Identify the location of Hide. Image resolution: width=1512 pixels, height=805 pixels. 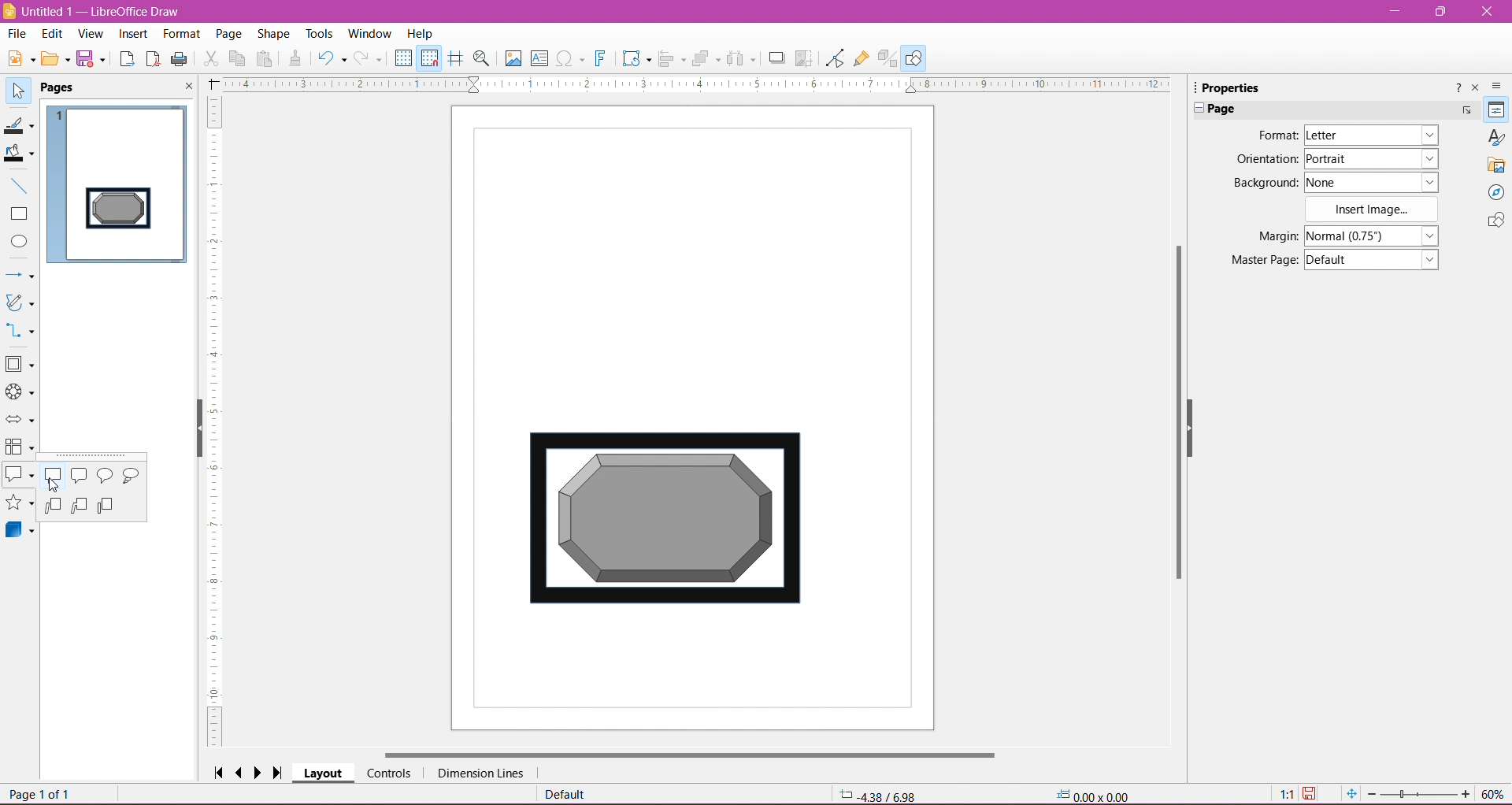
(1201, 436).